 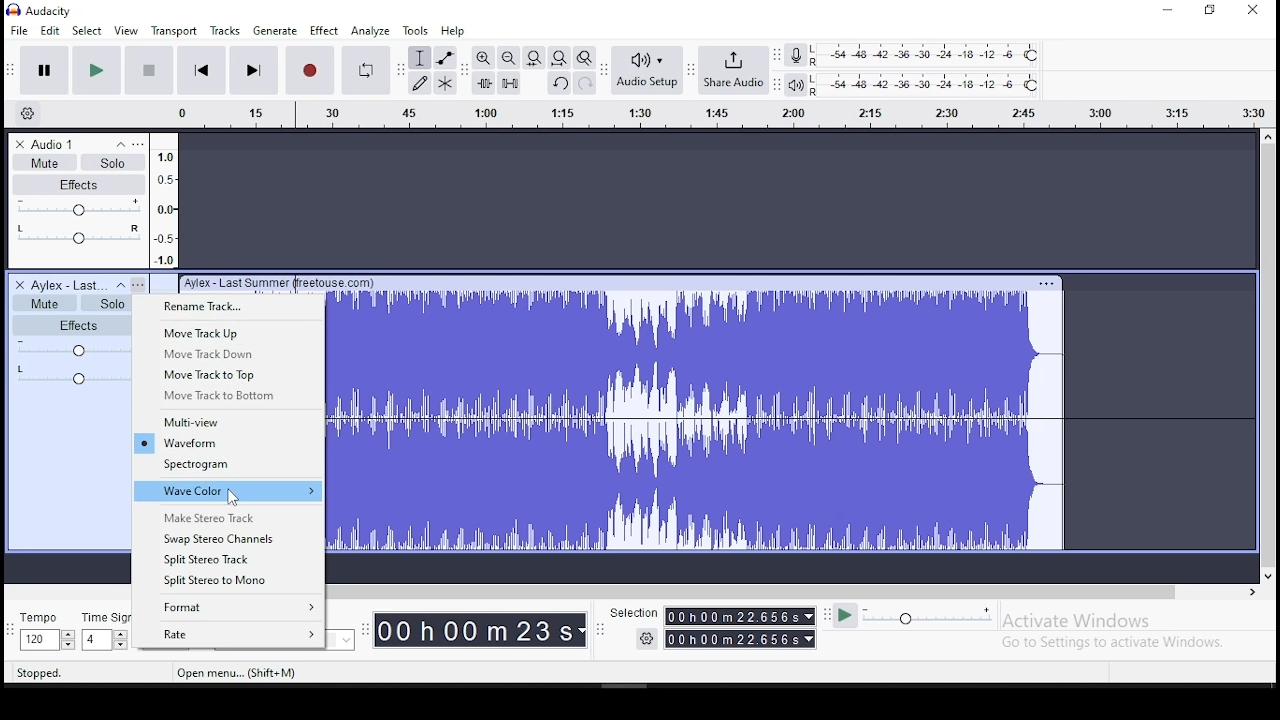 What do you see at coordinates (77, 236) in the screenshot?
I see `pan` at bounding box center [77, 236].